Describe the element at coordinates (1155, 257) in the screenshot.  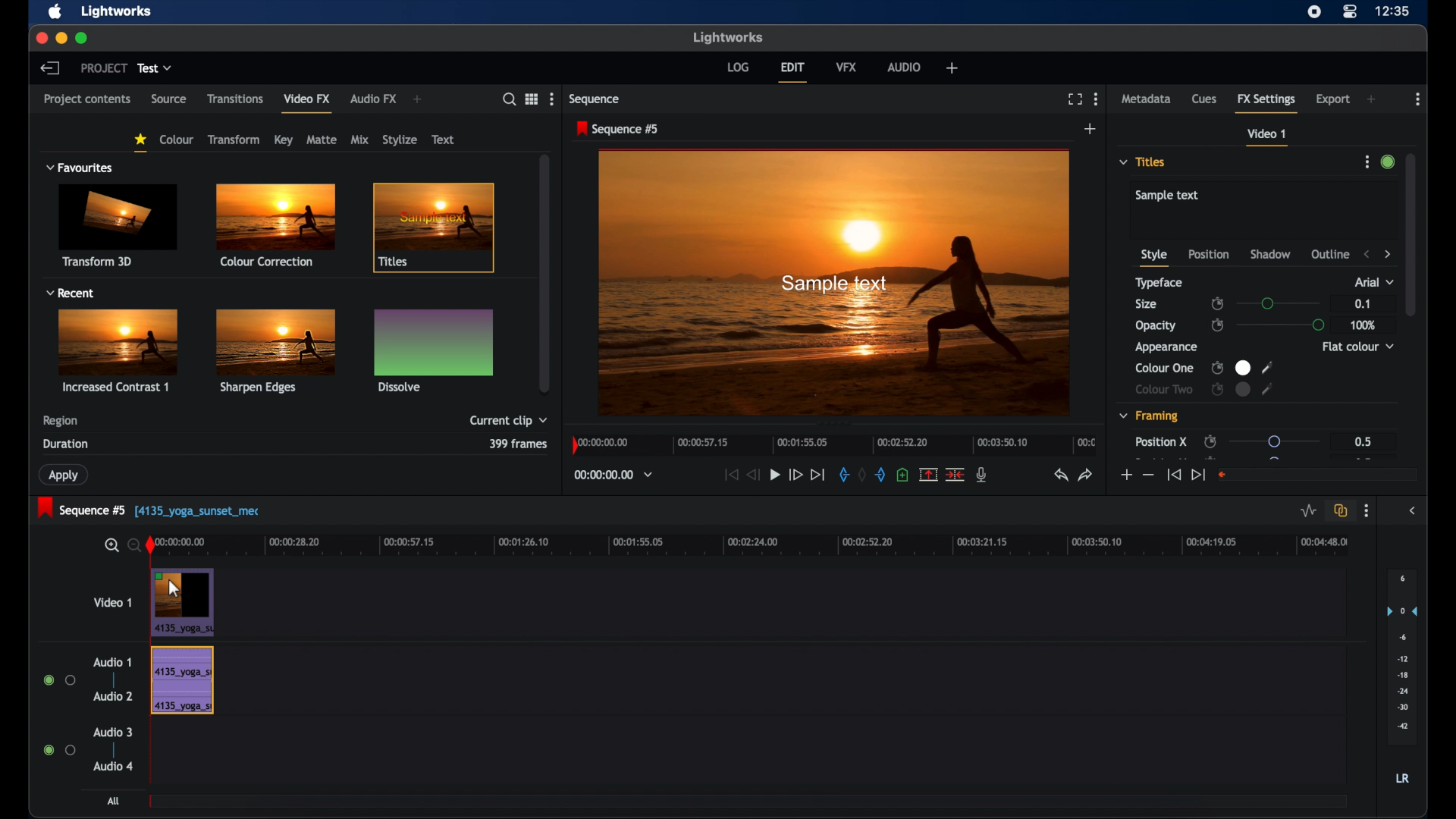
I see `style` at that location.